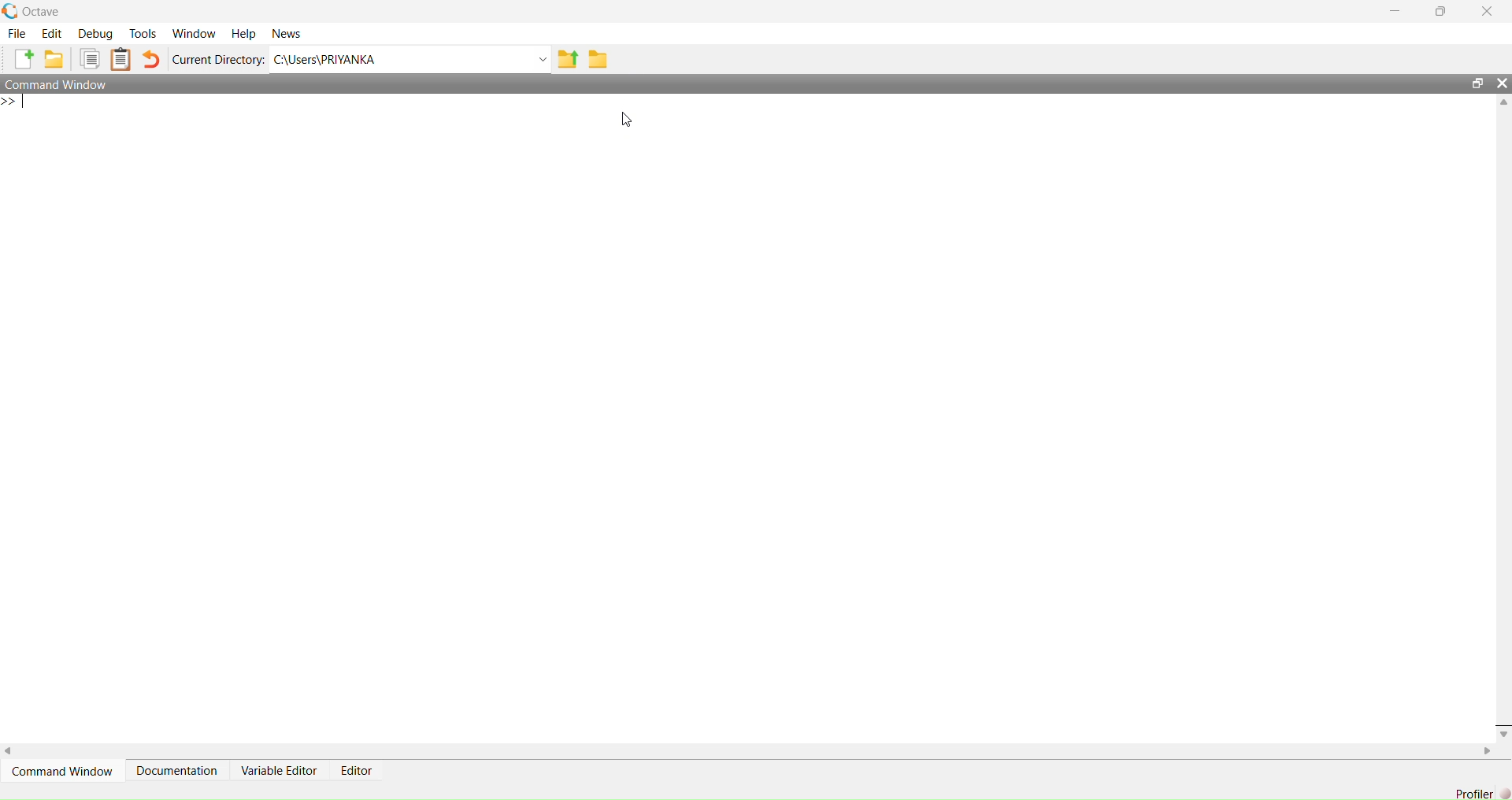  I want to click on Command Window, so click(61, 770).